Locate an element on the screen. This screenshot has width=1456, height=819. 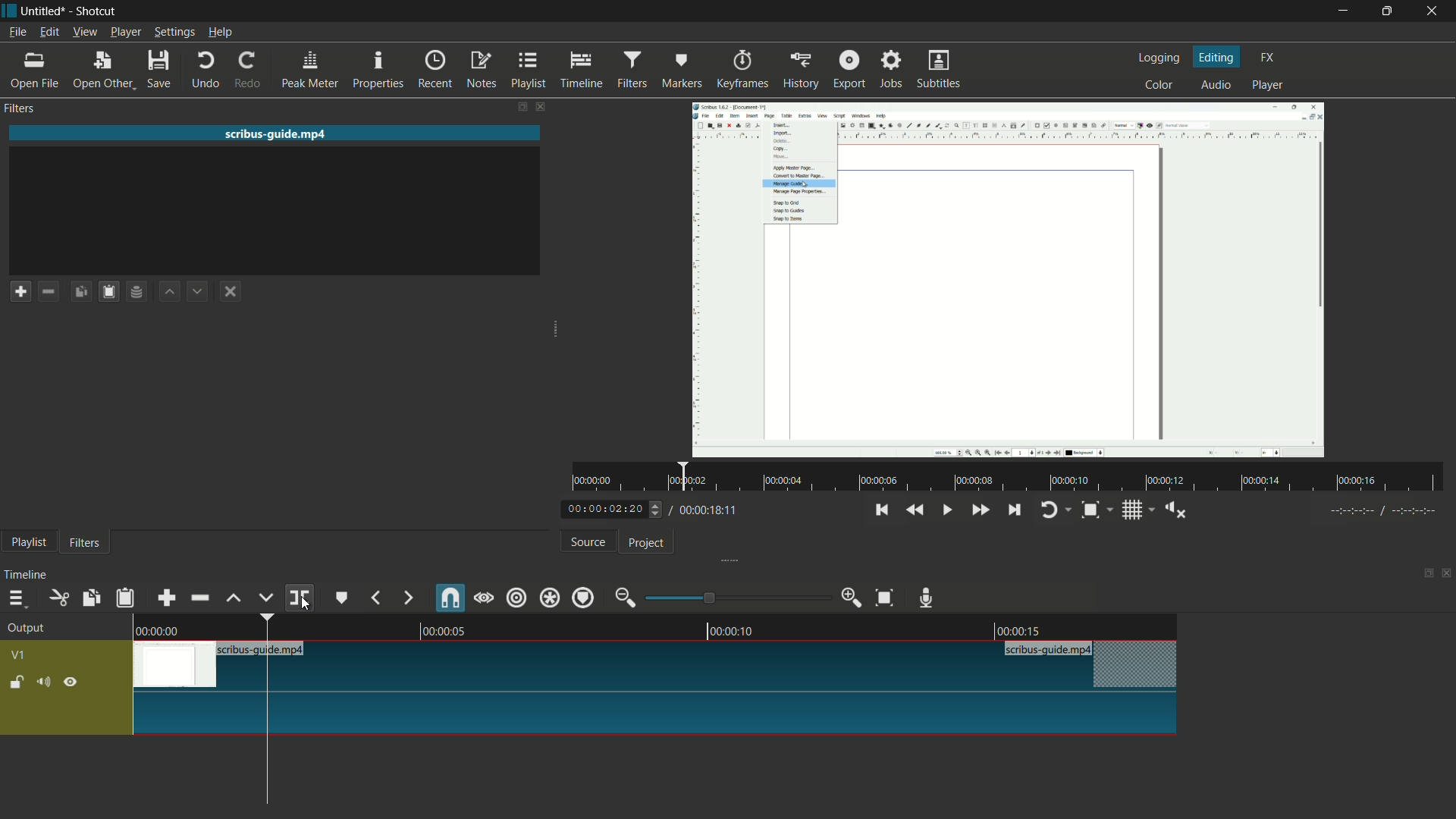
save filter set is located at coordinates (137, 293).